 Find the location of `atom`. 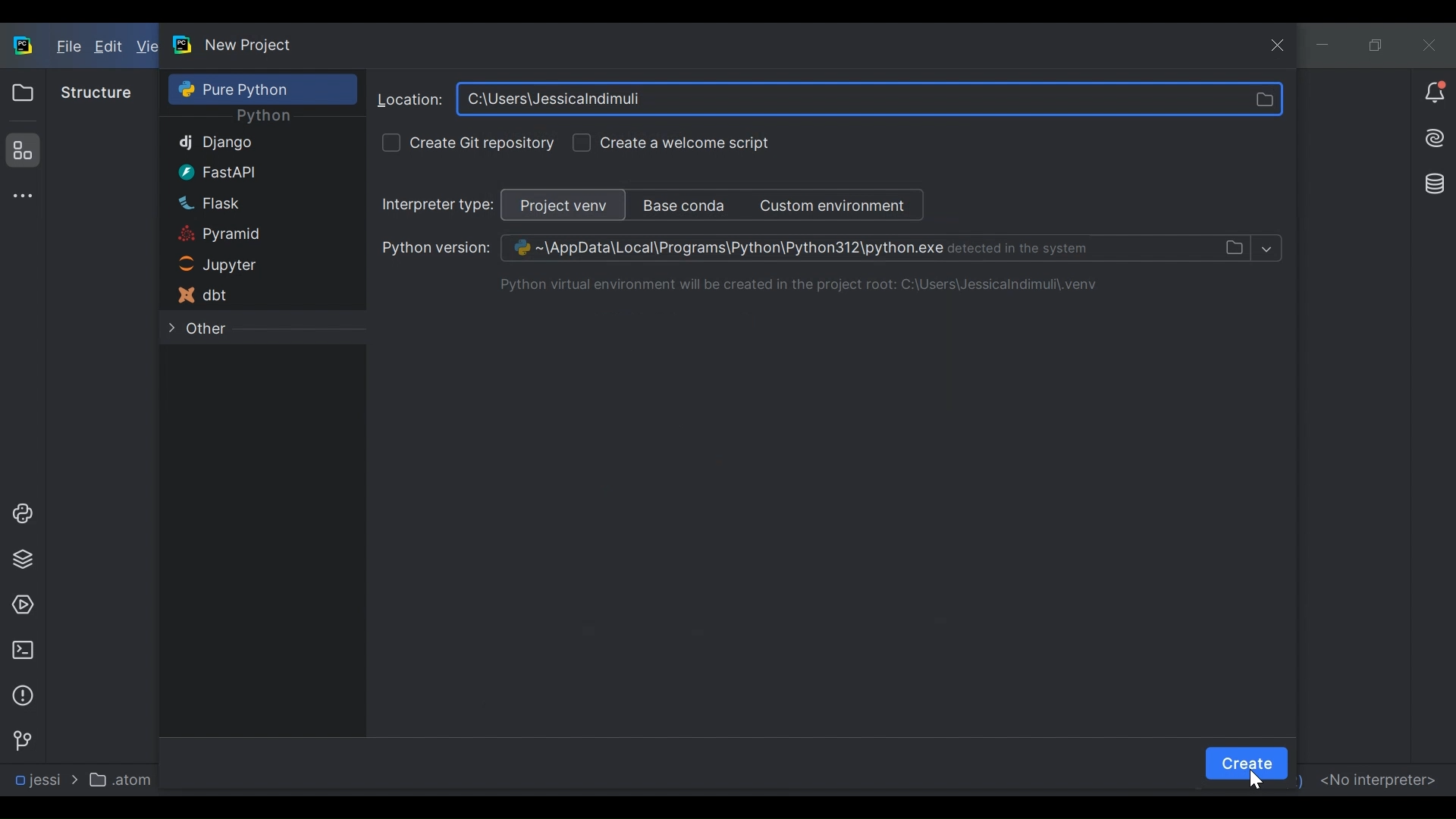

atom is located at coordinates (124, 779).